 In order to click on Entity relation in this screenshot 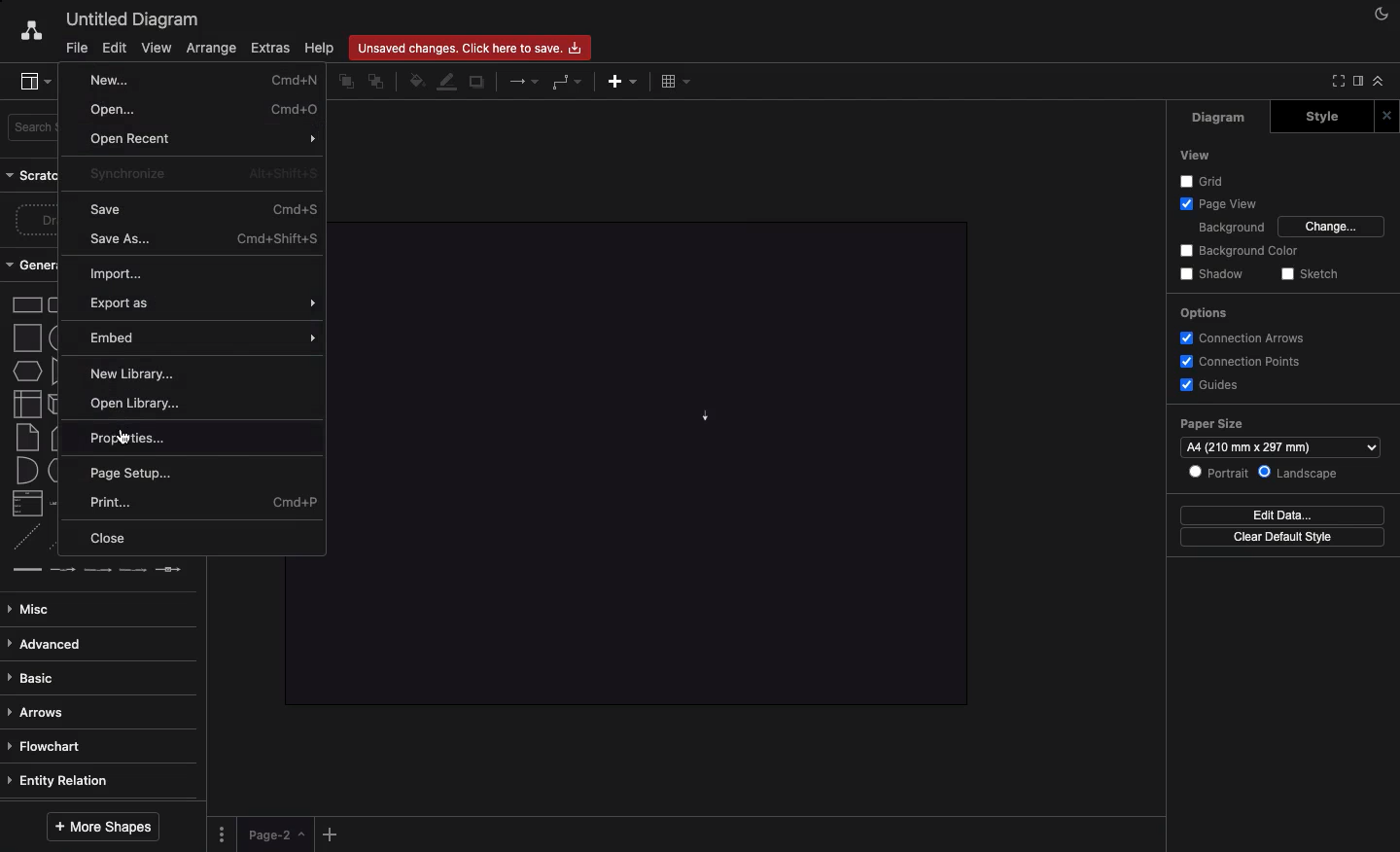, I will do `click(67, 780)`.